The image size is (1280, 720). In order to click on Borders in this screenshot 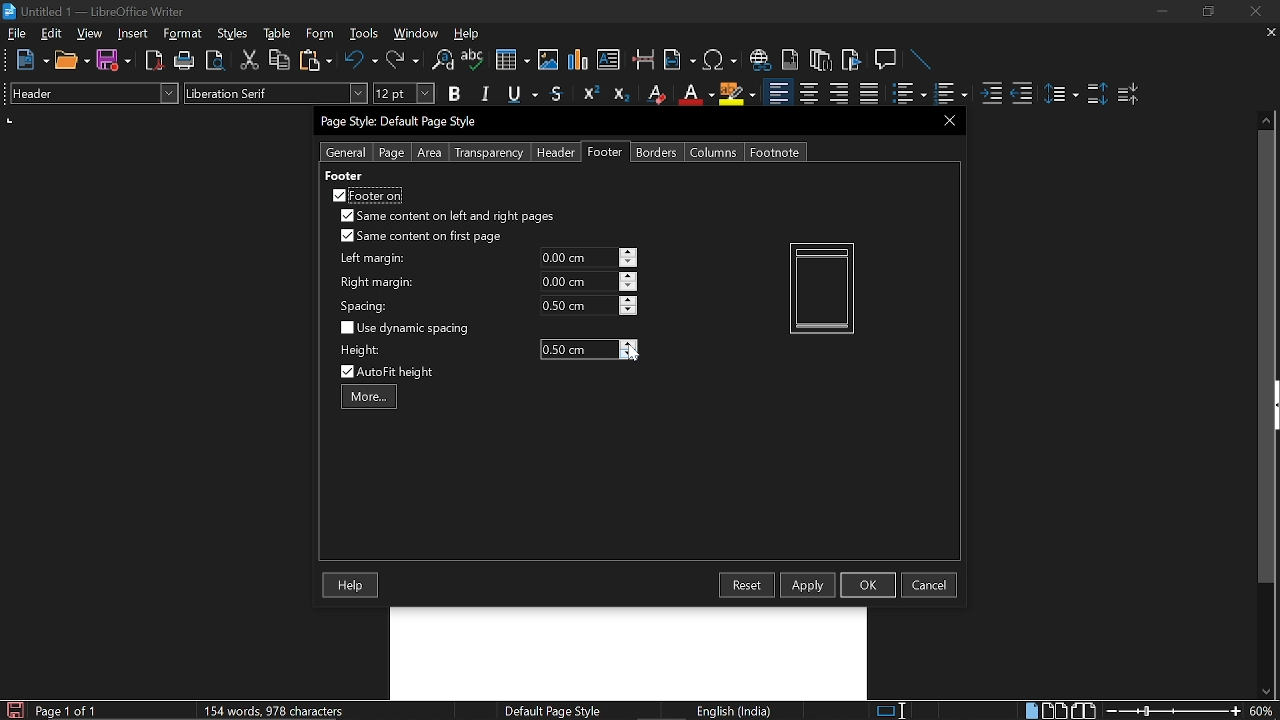, I will do `click(658, 152)`.